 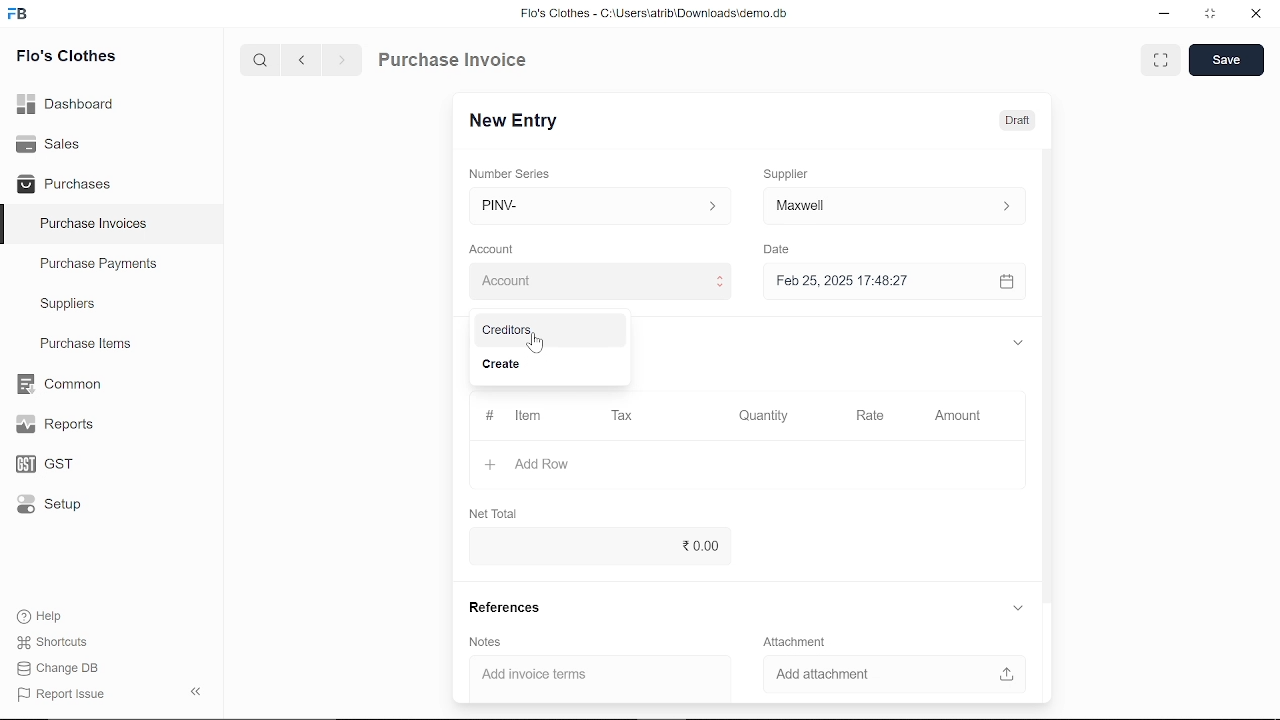 I want to click on Draft, so click(x=1017, y=121).